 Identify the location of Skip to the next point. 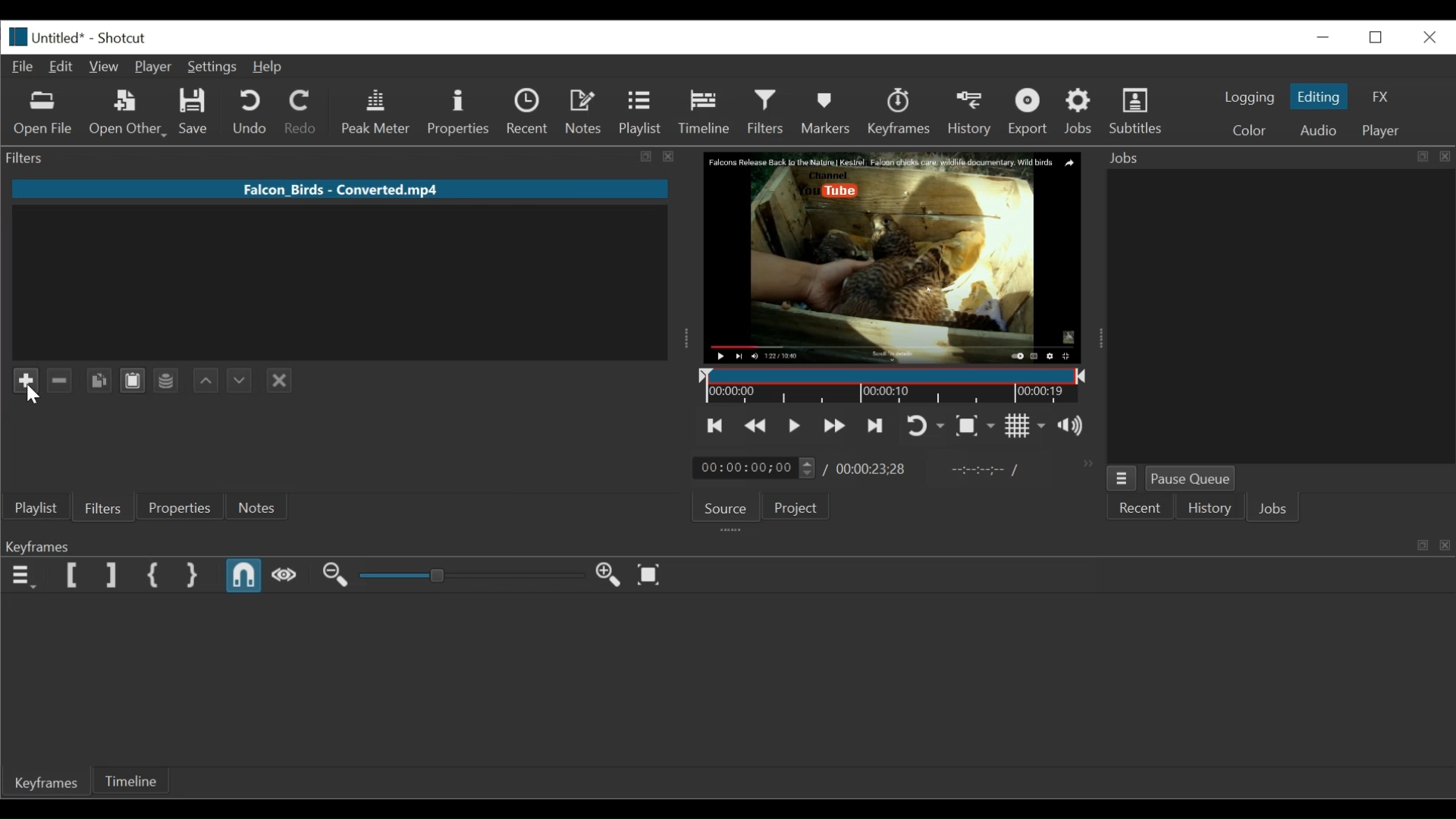
(872, 427).